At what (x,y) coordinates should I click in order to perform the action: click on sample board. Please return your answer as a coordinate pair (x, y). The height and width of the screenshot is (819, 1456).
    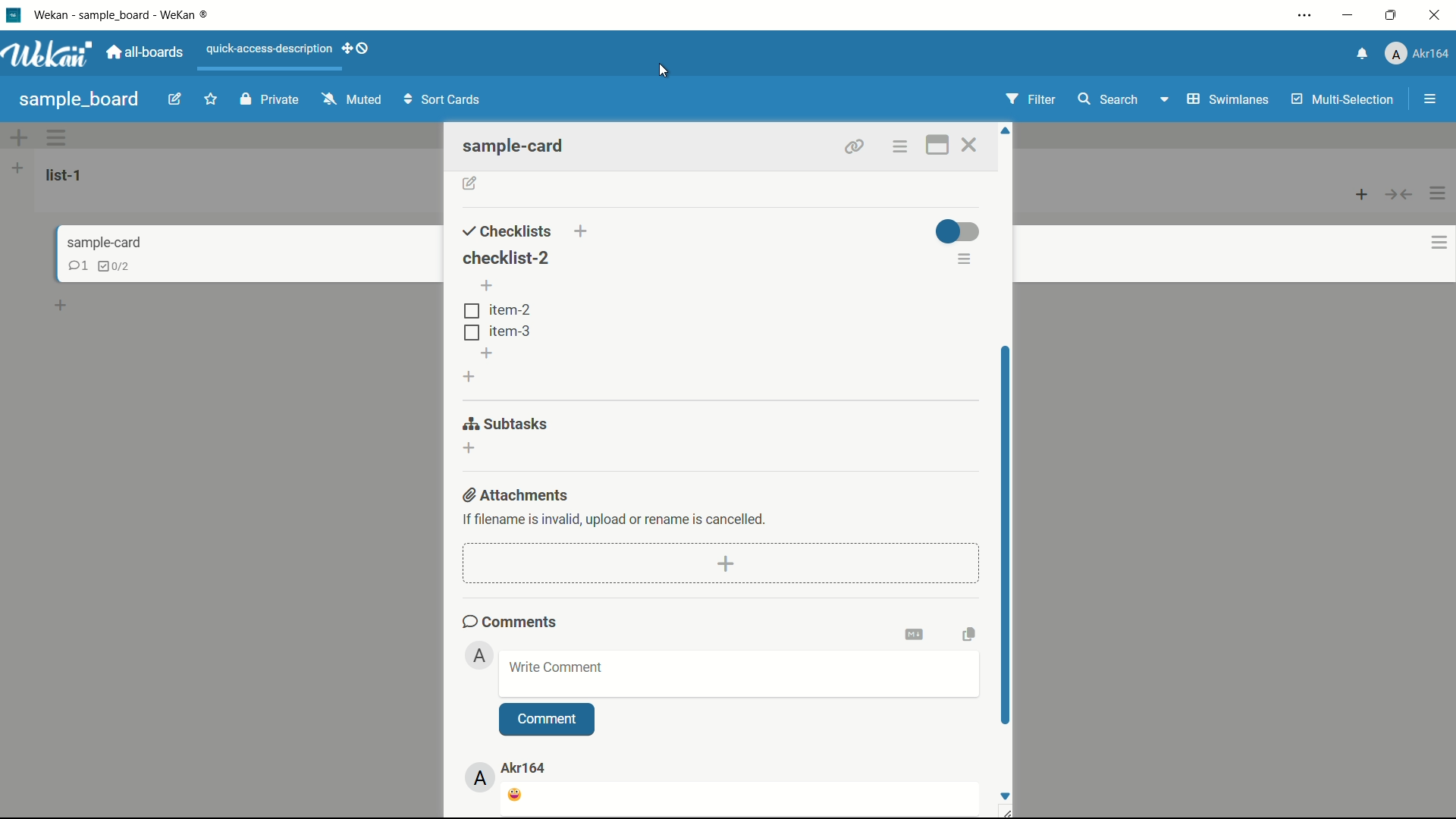
    Looking at the image, I should click on (79, 99).